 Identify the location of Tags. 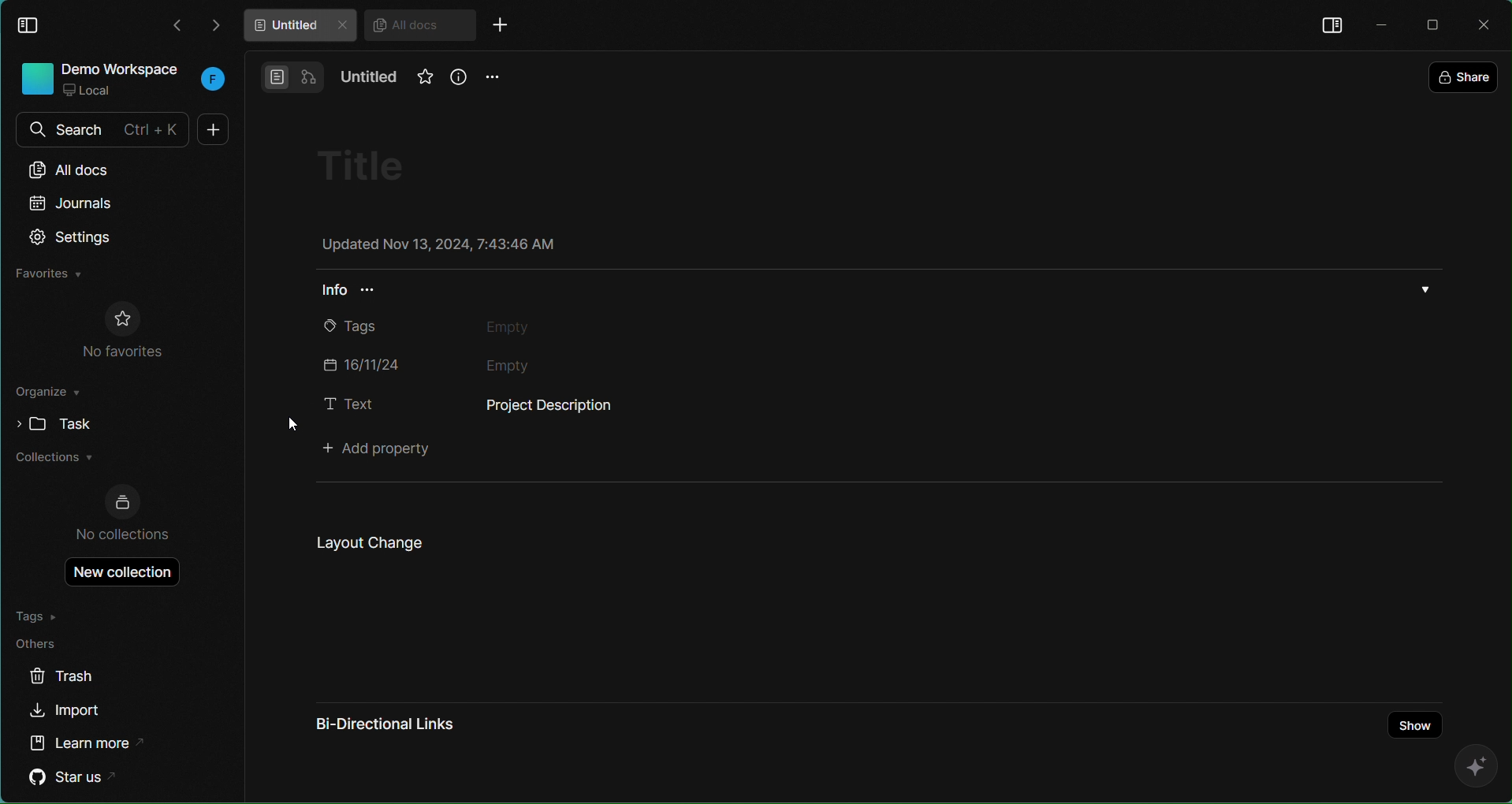
(477, 327).